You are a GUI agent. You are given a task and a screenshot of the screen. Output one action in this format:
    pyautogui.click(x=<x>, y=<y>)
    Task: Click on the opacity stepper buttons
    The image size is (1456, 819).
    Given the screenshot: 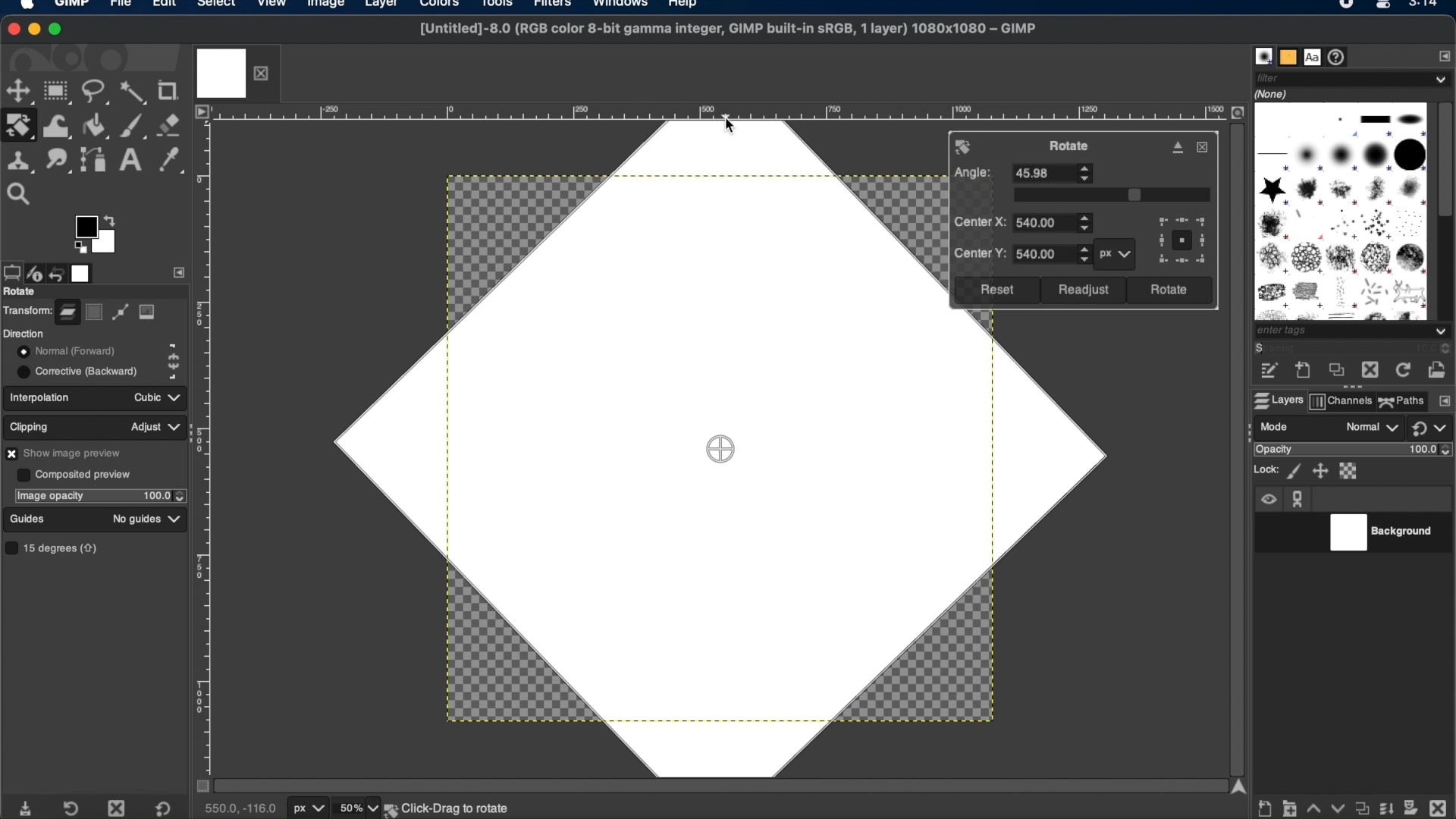 What is the action you would take?
    pyautogui.click(x=165, y=495)
    